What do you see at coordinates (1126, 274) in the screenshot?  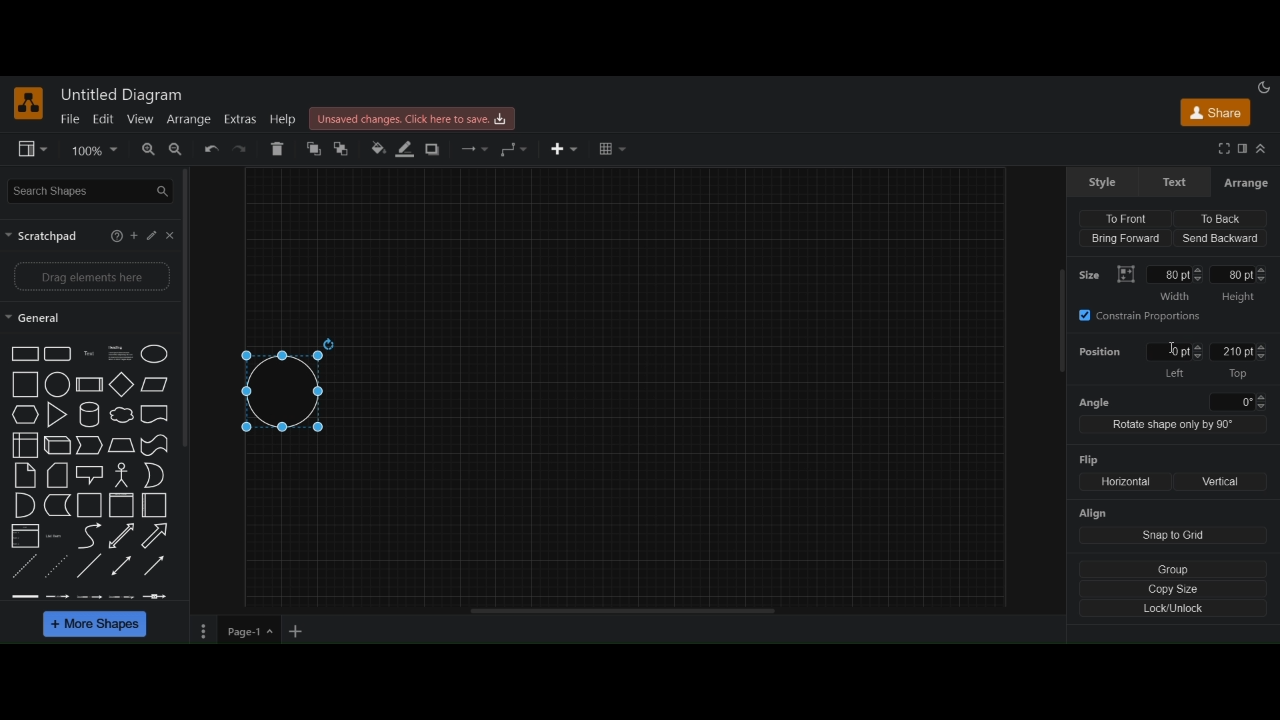 I see `autosize` at bounding box center [1126, 274].